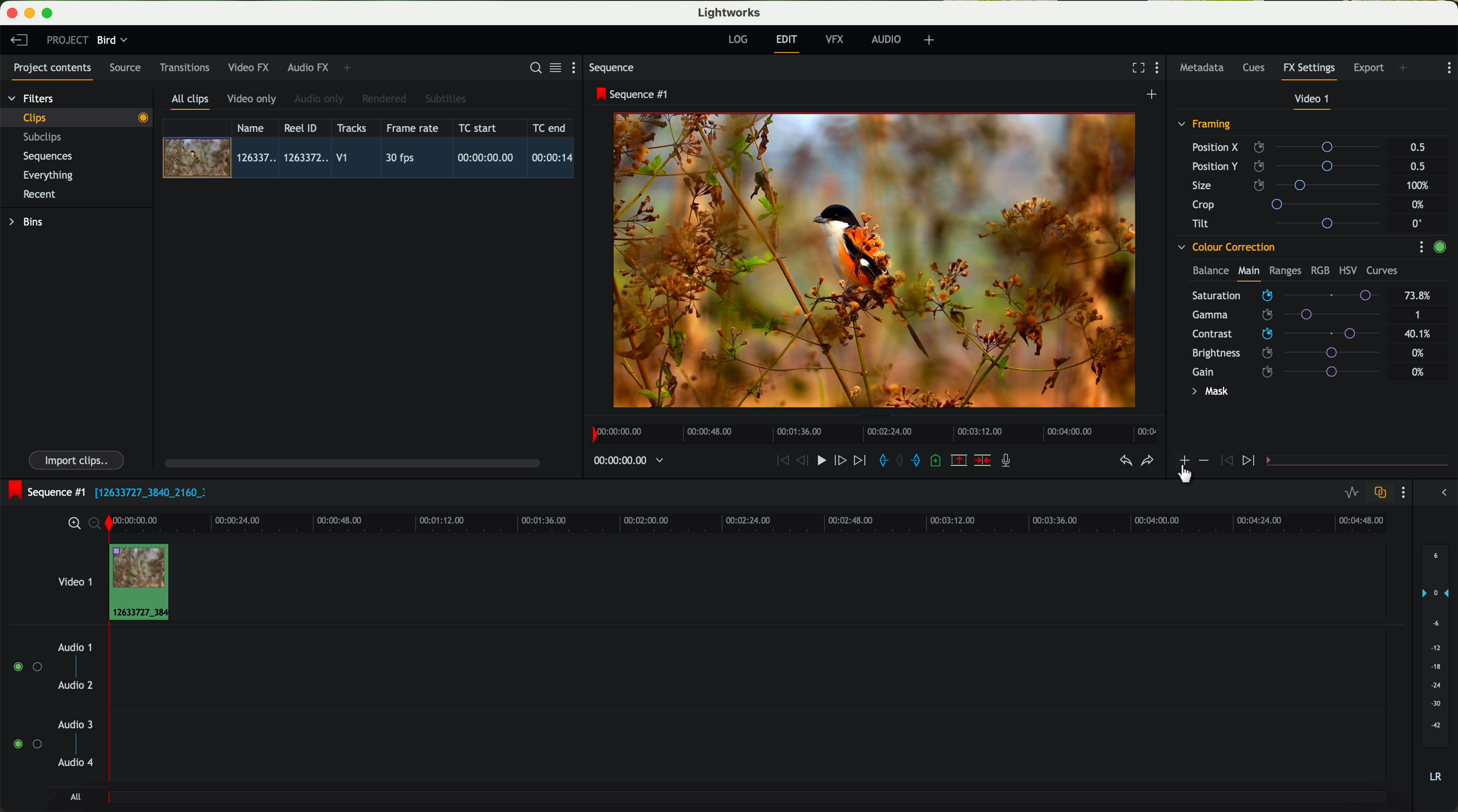  What do you see at coordinates (554, 67) in the screenshot?
I see `toggle between list and title view` at bounding box center [554, 67].